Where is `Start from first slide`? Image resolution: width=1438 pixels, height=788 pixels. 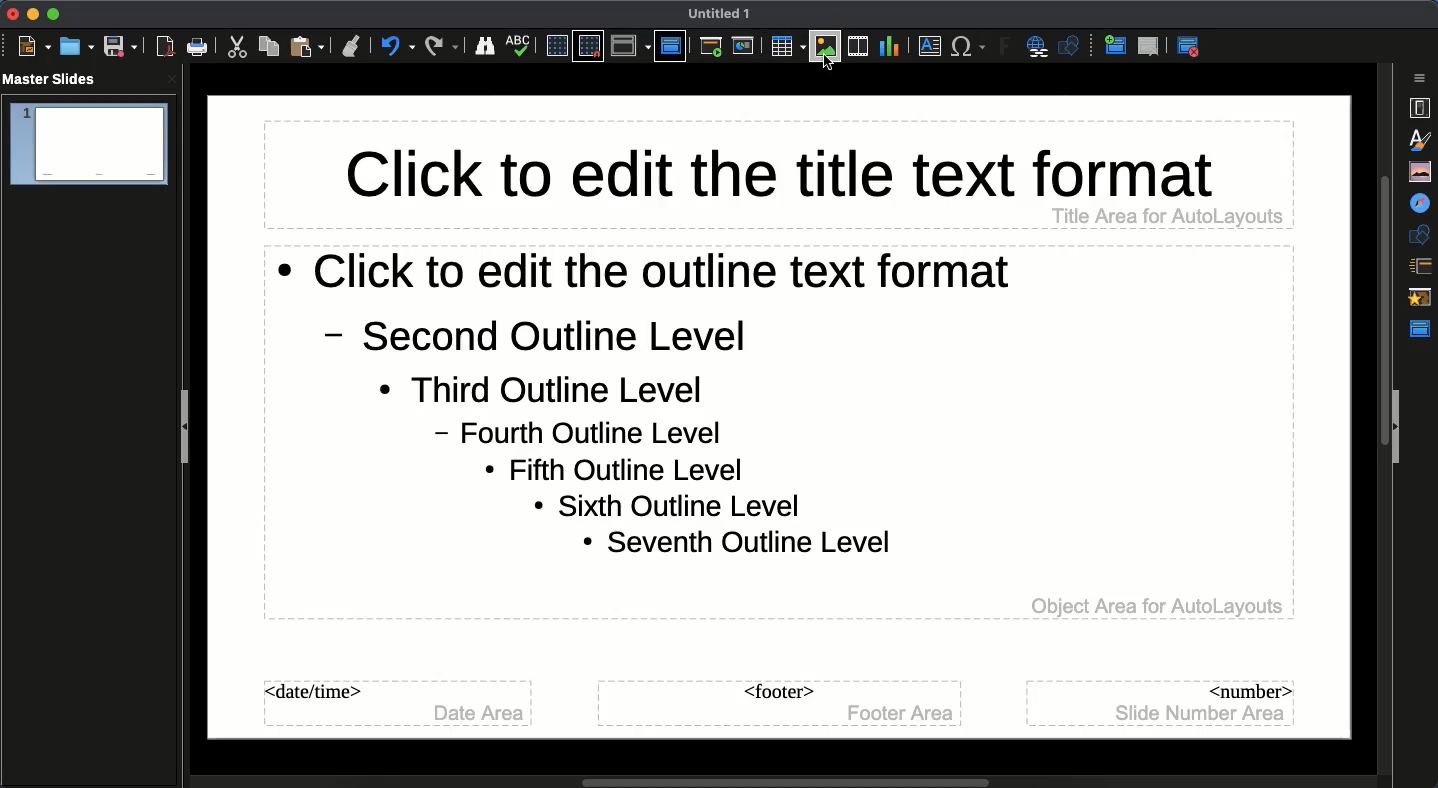 Start from first slide is located at coordinates (713, 49).